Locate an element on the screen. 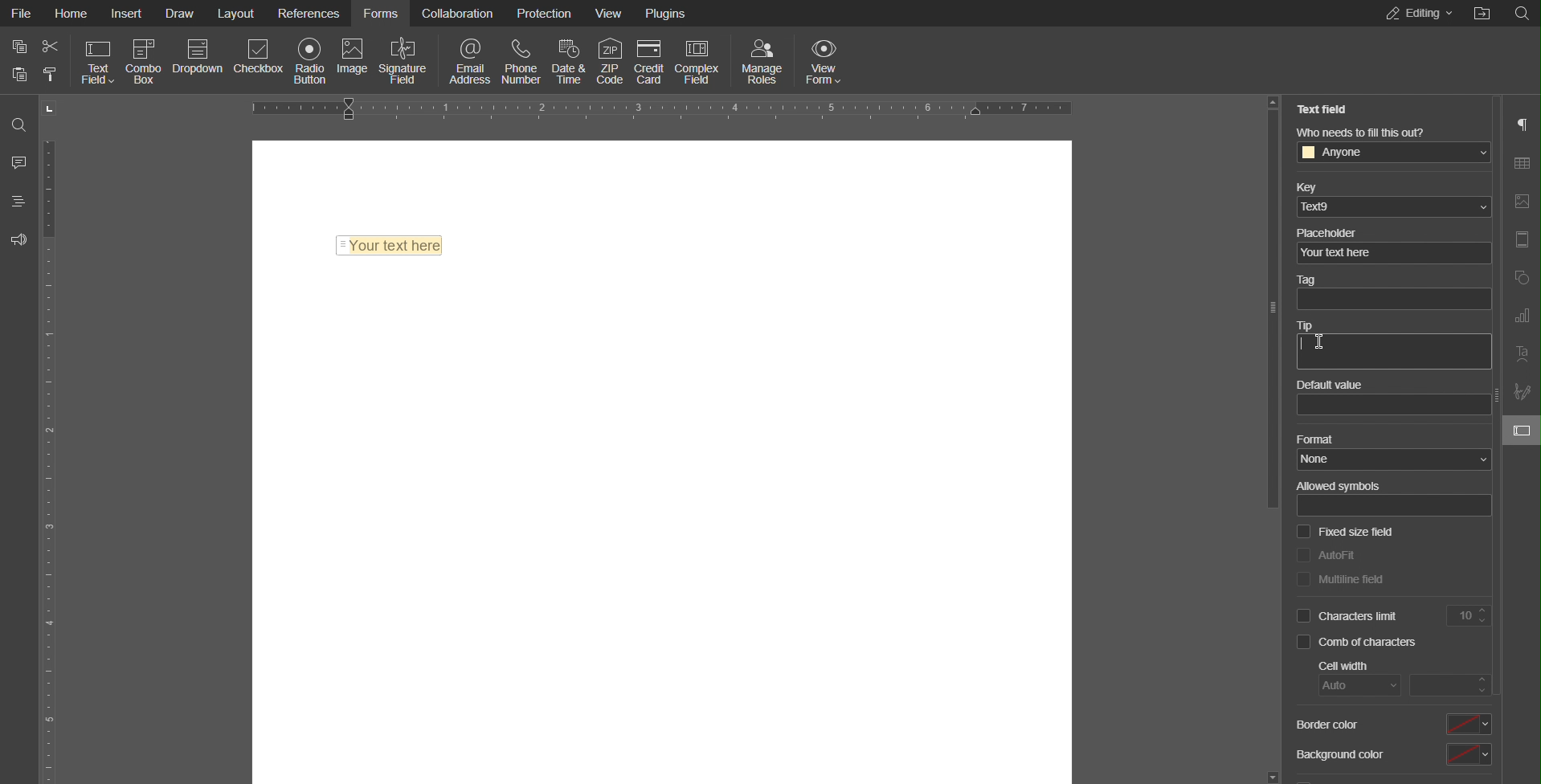 This screenshot has height=784, width=1541. Image is located at coordinates (354, 59).